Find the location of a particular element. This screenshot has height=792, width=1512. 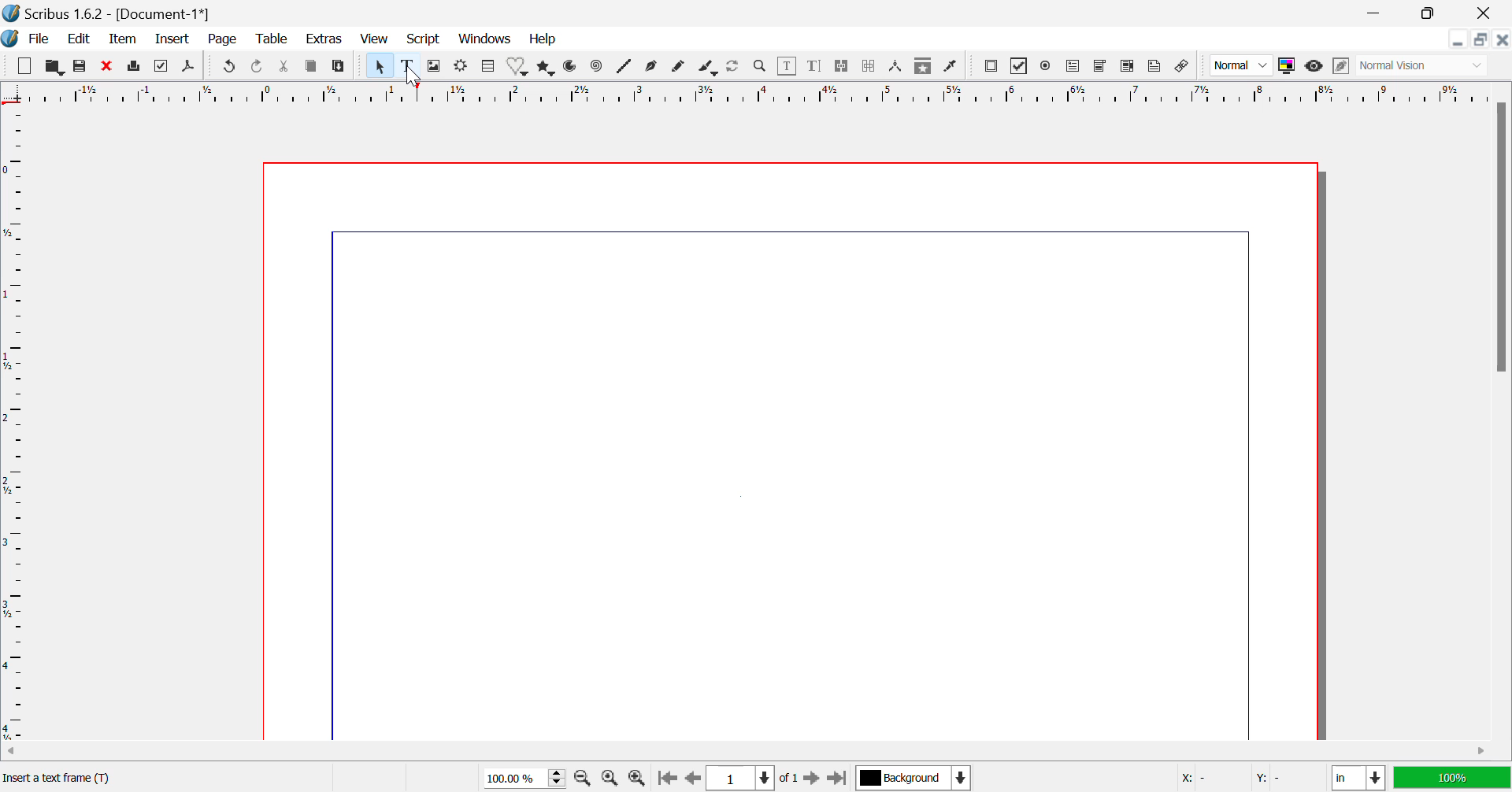

Edit in Preview Mode is located at coordinates (1341, 68).